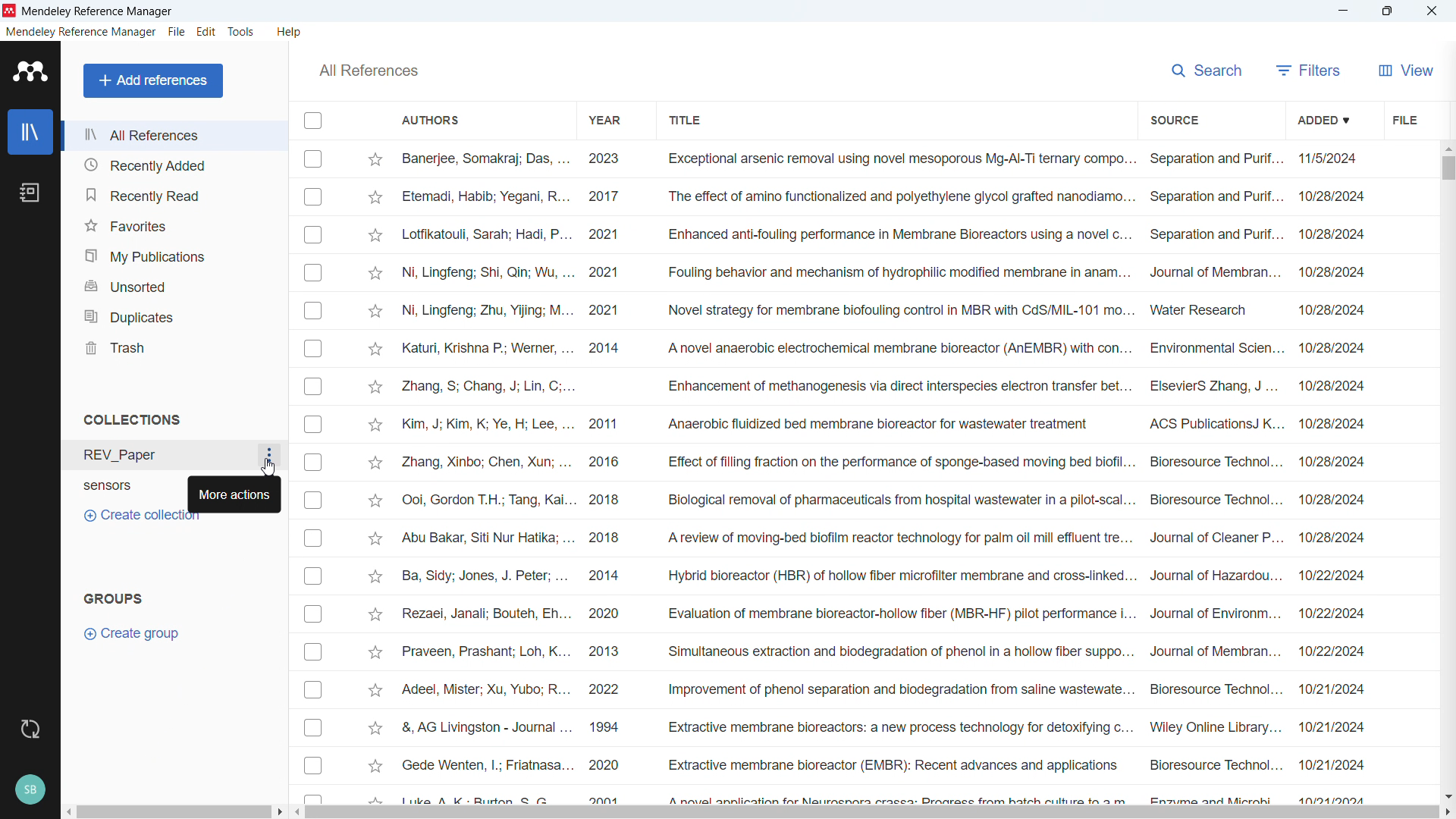 Image resolution: width=1456 pixels, height=819 pixels. Describe the element at coordinates (1309, 68) in the screenshot. I see `filters` at that location.